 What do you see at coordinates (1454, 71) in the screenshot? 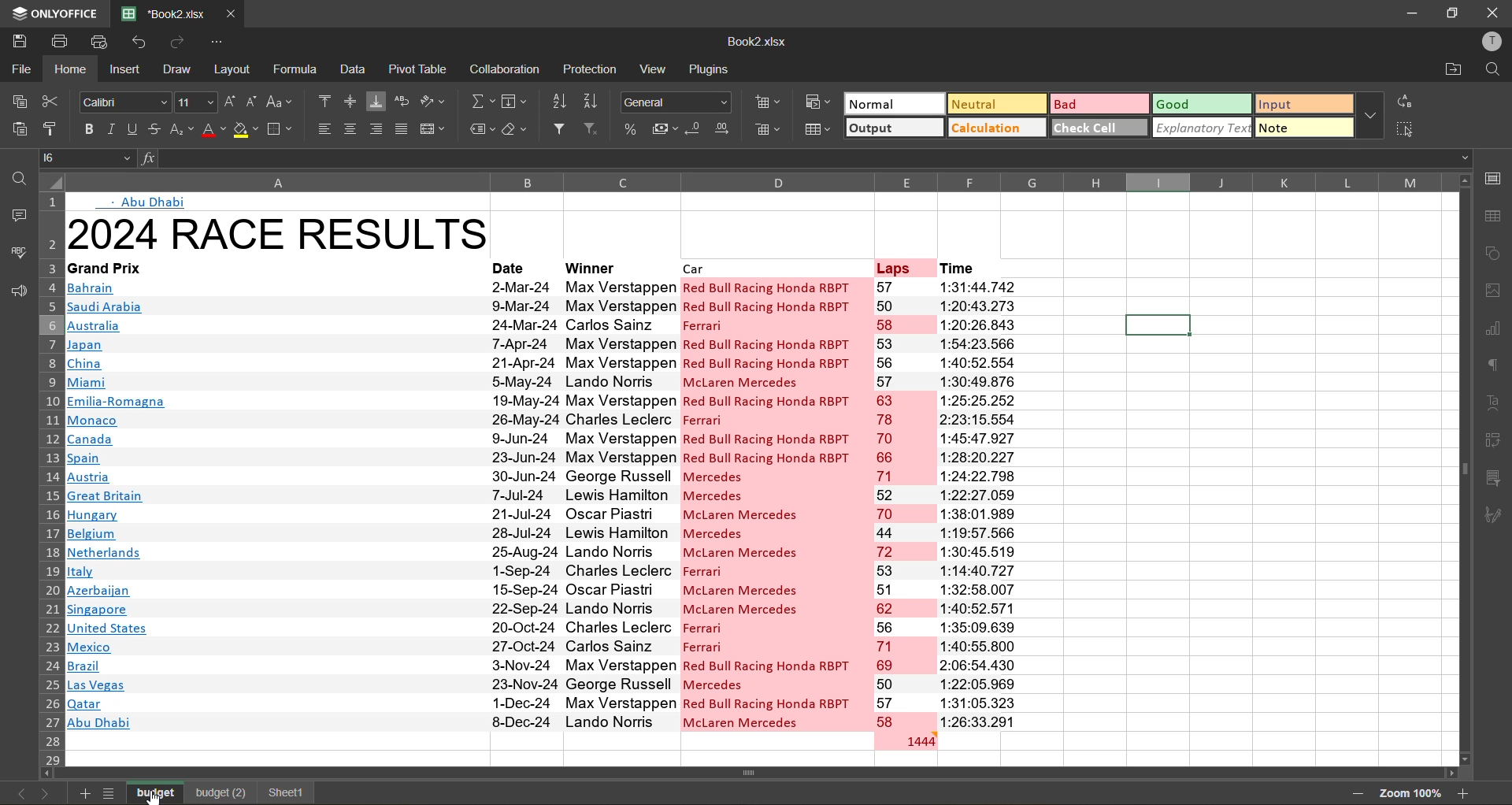
I see `open location` at bounding box center [1454, 71].